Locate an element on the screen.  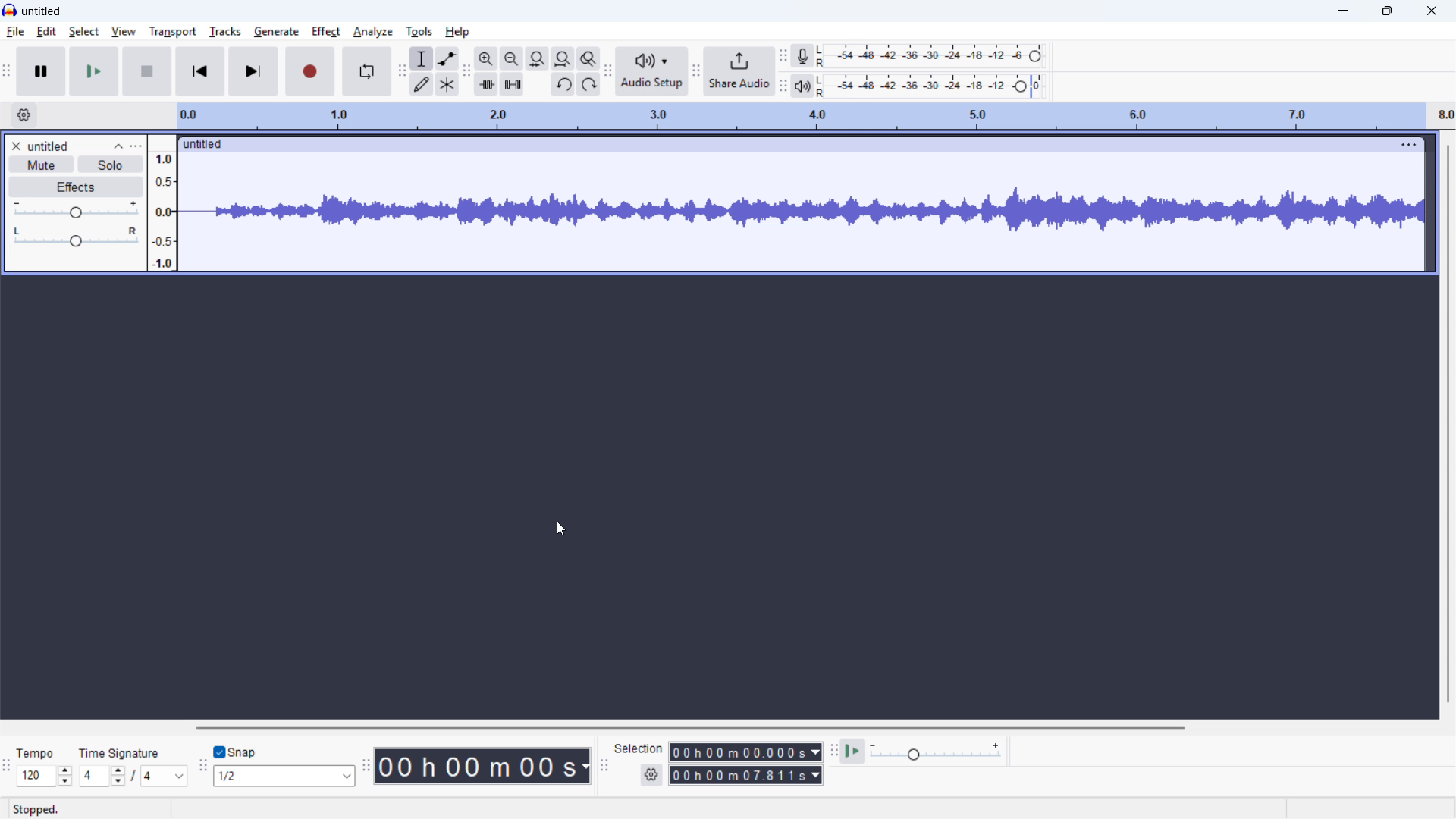
Undo  is located at coordinates (563, 85).